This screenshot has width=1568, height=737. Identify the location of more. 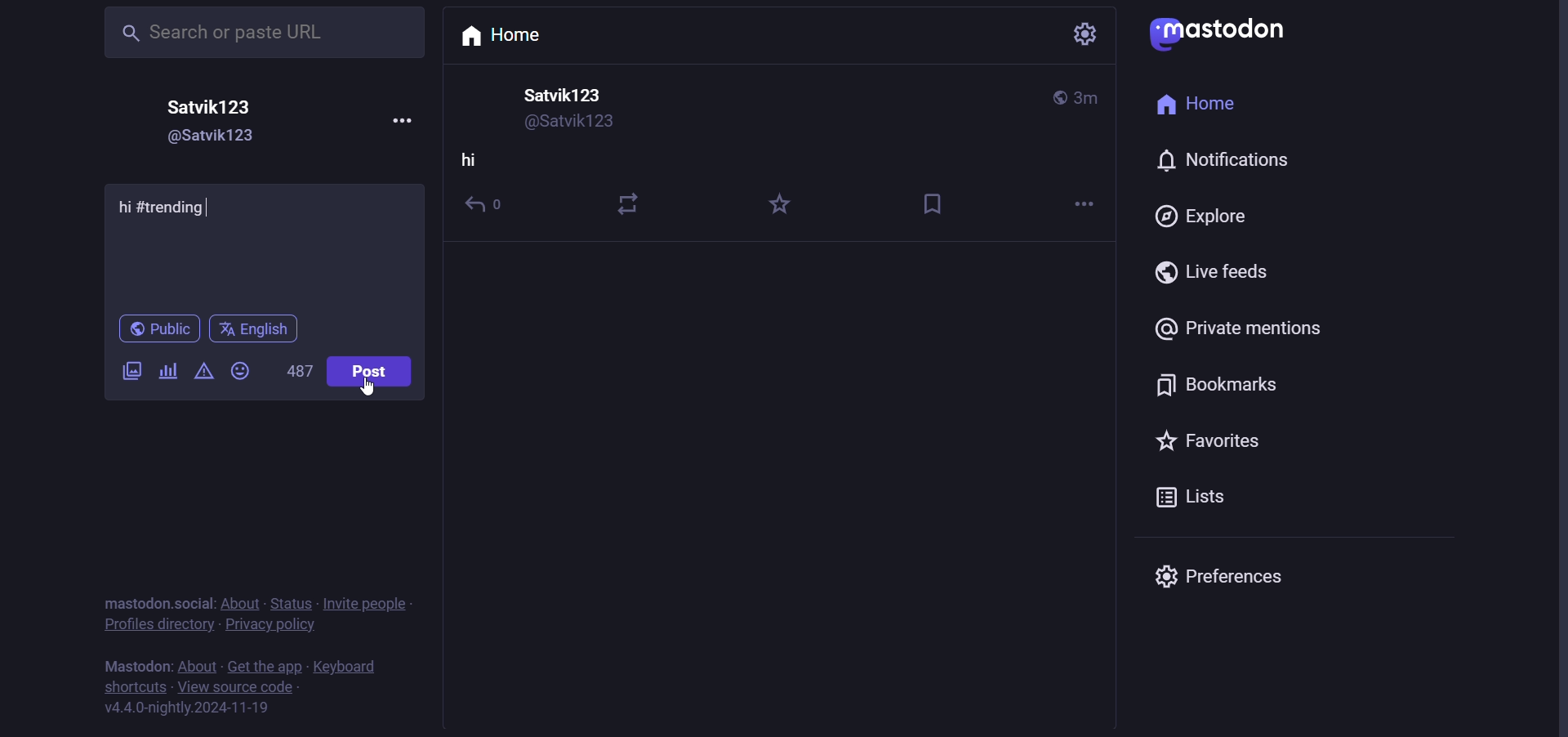
(1079, 205).